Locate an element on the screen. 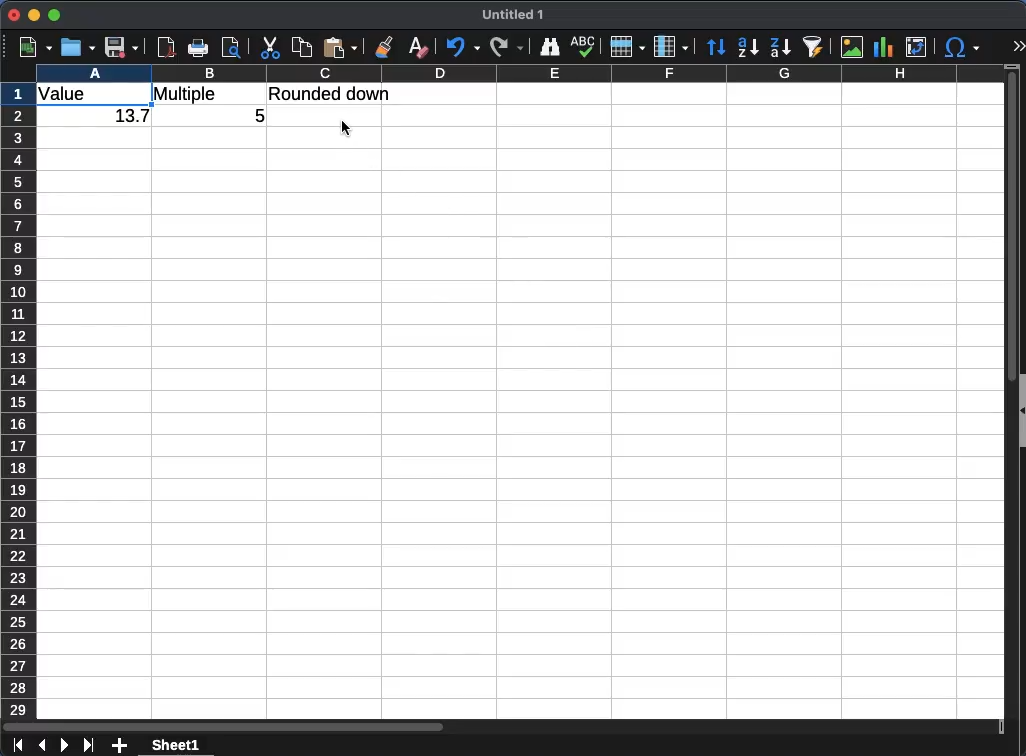  descending is located at coordinates (780, 48).